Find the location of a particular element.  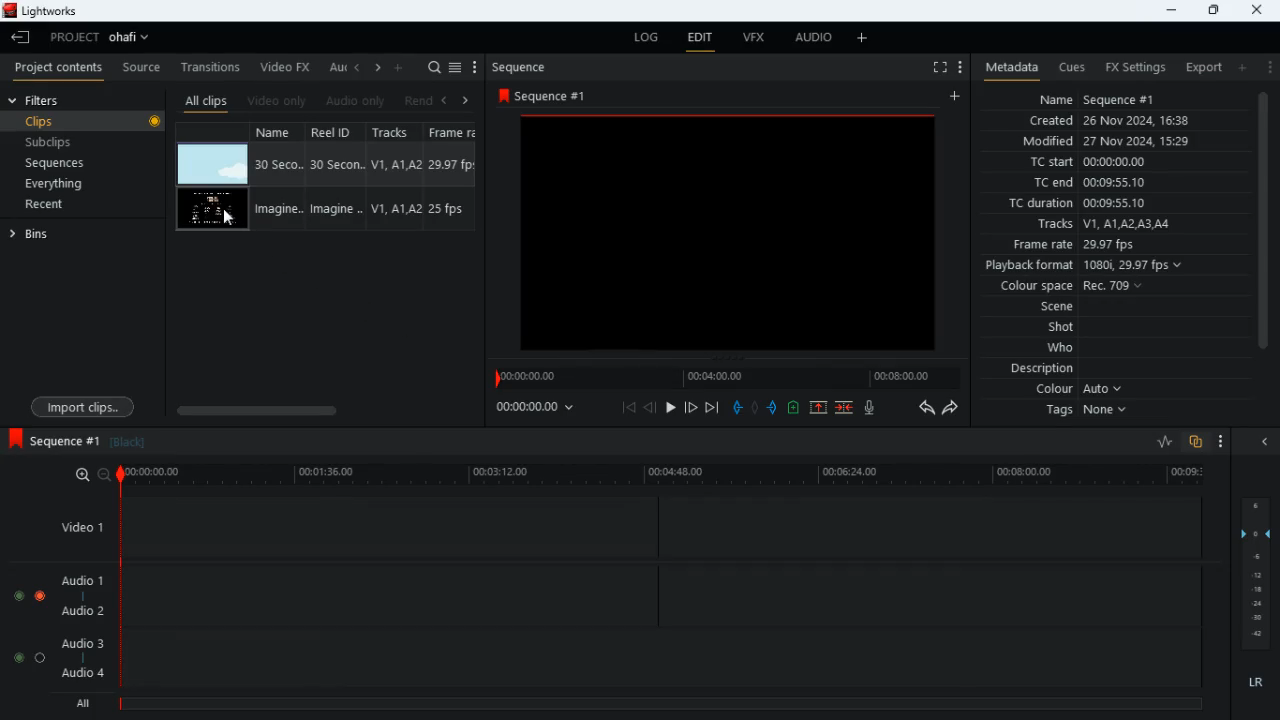

modified is located at coordinates (1119, 143).